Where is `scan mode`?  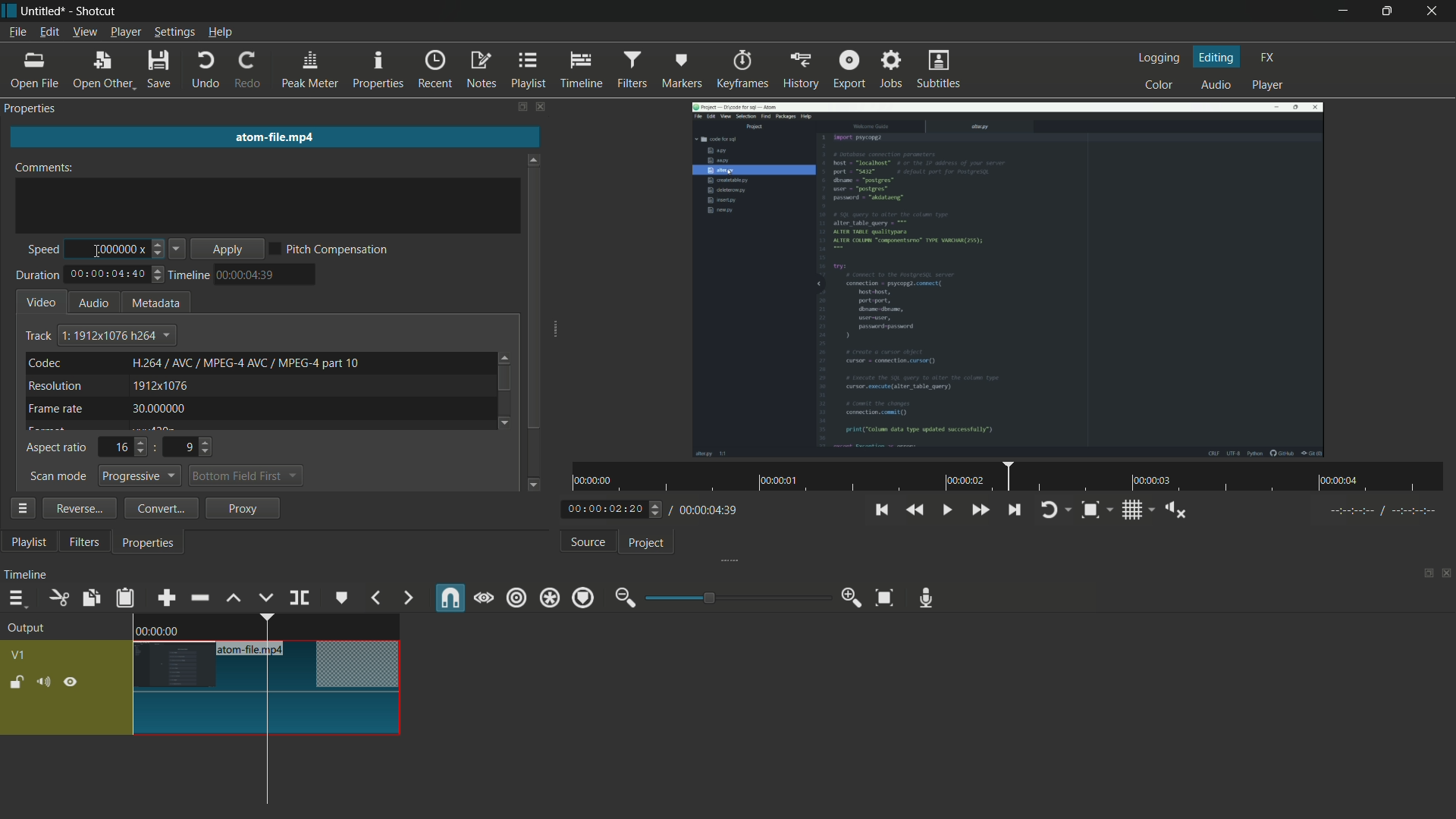
scan mode is located at coordinates (58, 477).